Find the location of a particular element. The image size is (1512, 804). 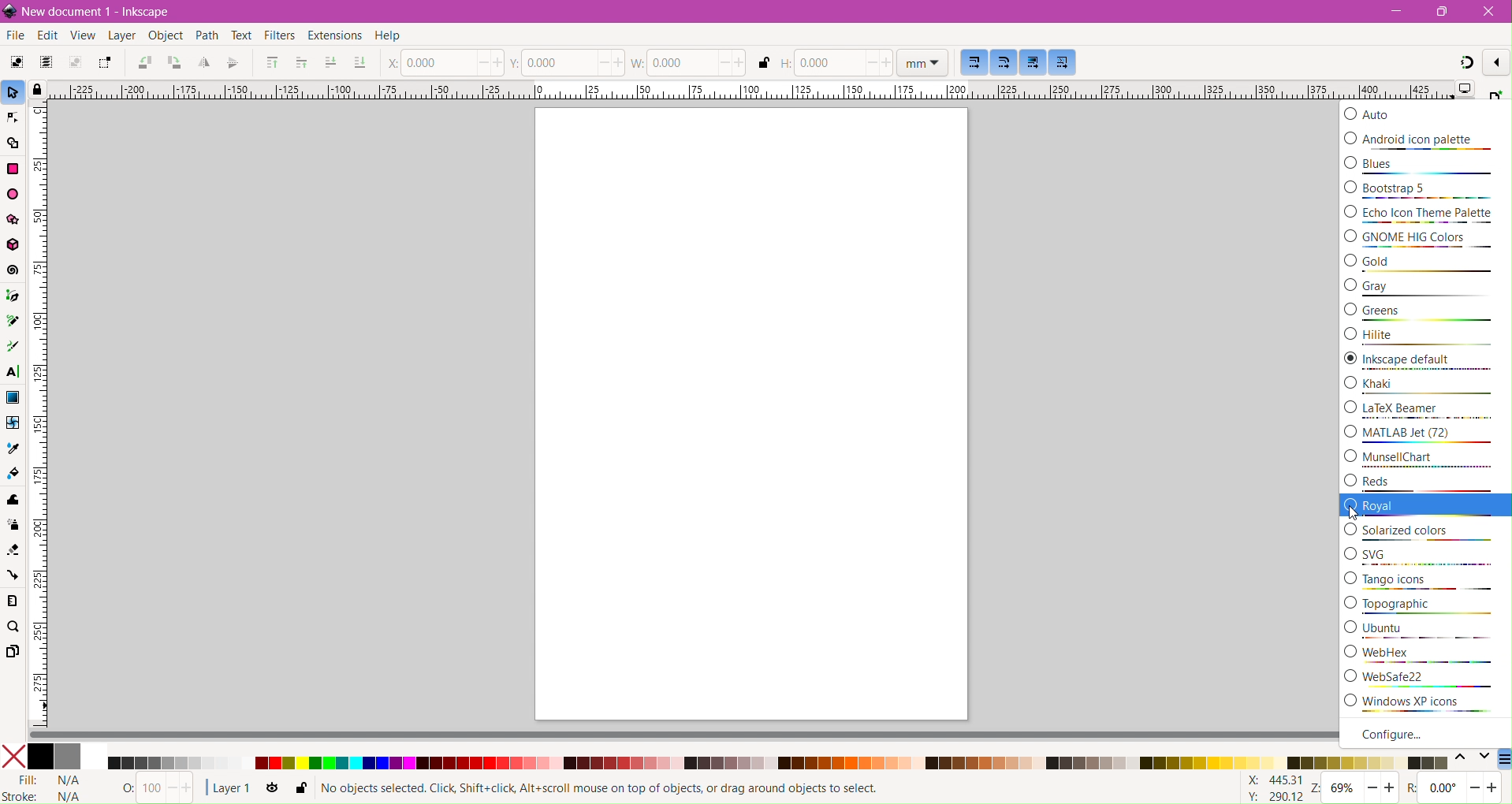

Select All in All Layers is located at coordinates (45, 63).